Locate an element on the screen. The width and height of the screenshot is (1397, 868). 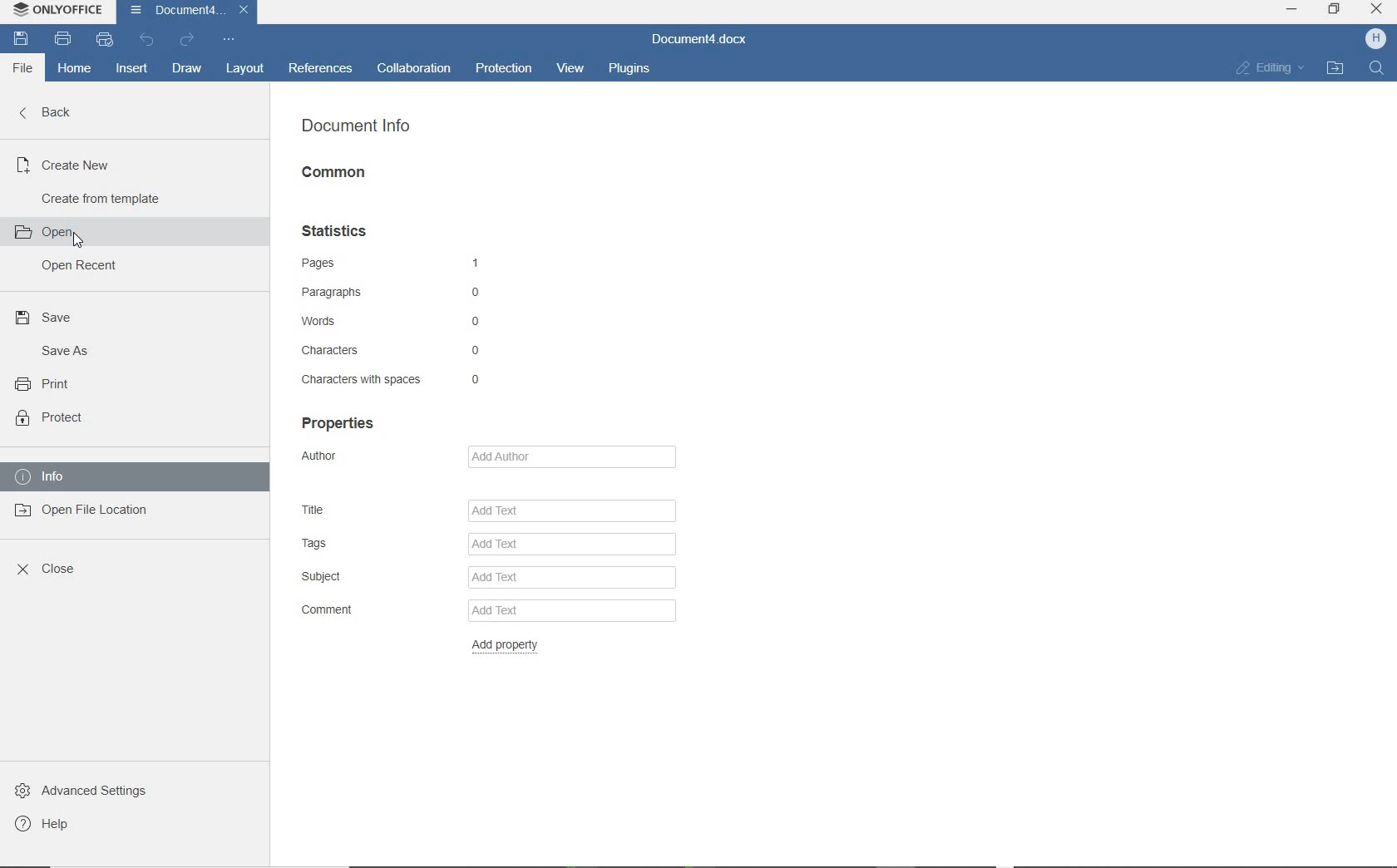
protection is located at coordinates (502, 67).